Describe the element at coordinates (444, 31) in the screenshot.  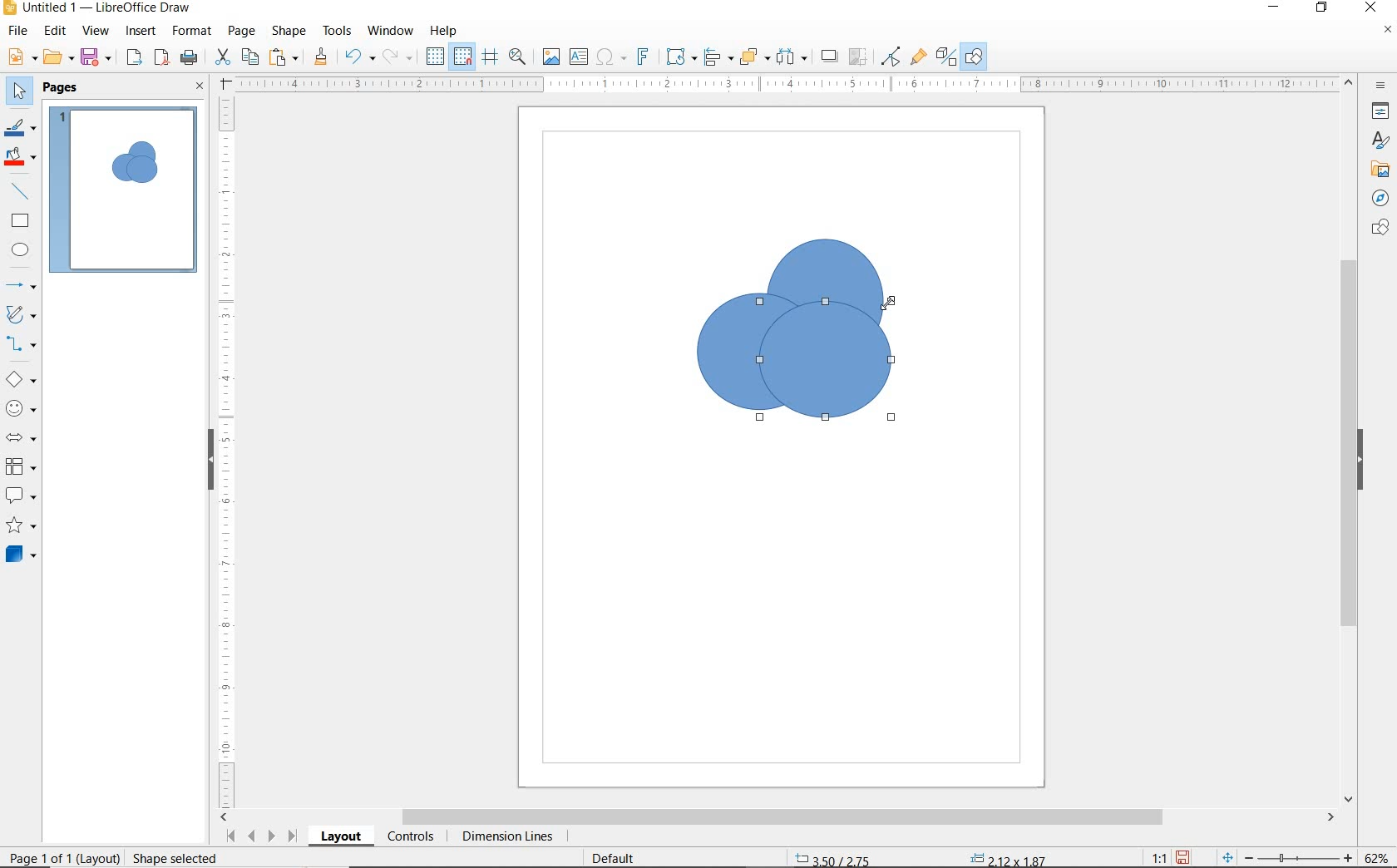
I see `HELP` at that location.